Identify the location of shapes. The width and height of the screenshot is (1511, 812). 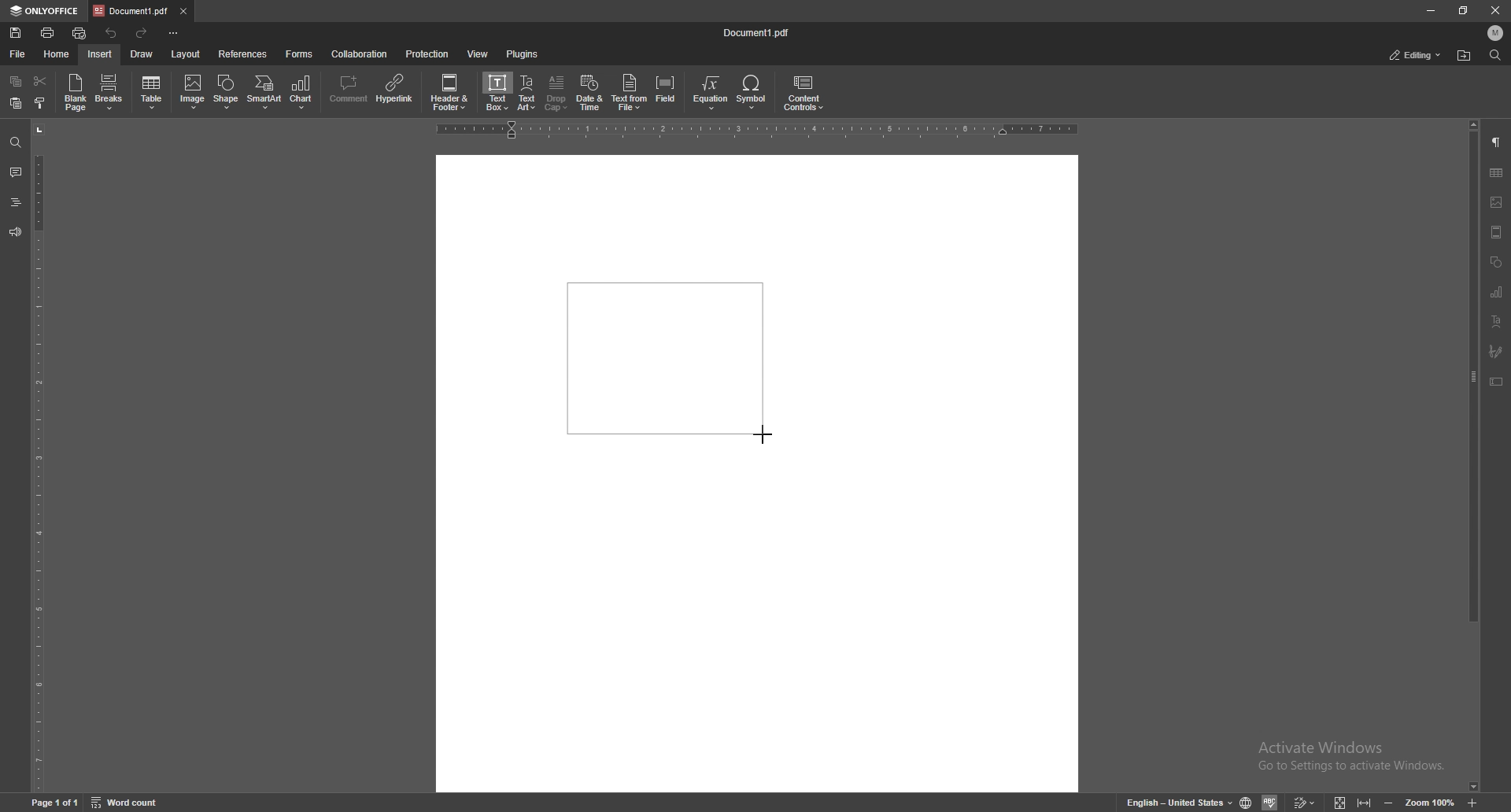
(1496, 262).